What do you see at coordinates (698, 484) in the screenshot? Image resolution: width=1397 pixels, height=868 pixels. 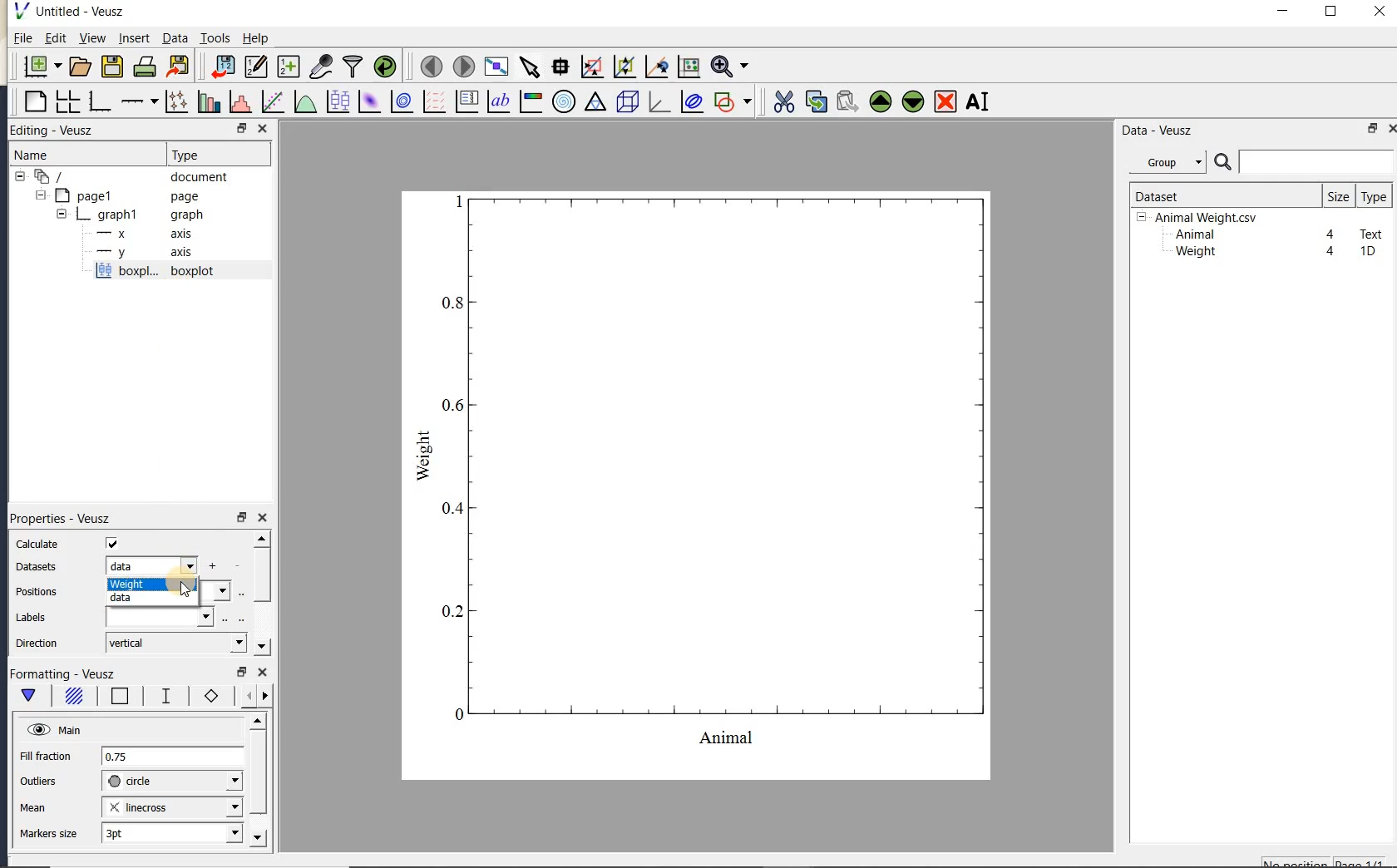 I see `graph` at bounding box center [698, 484].